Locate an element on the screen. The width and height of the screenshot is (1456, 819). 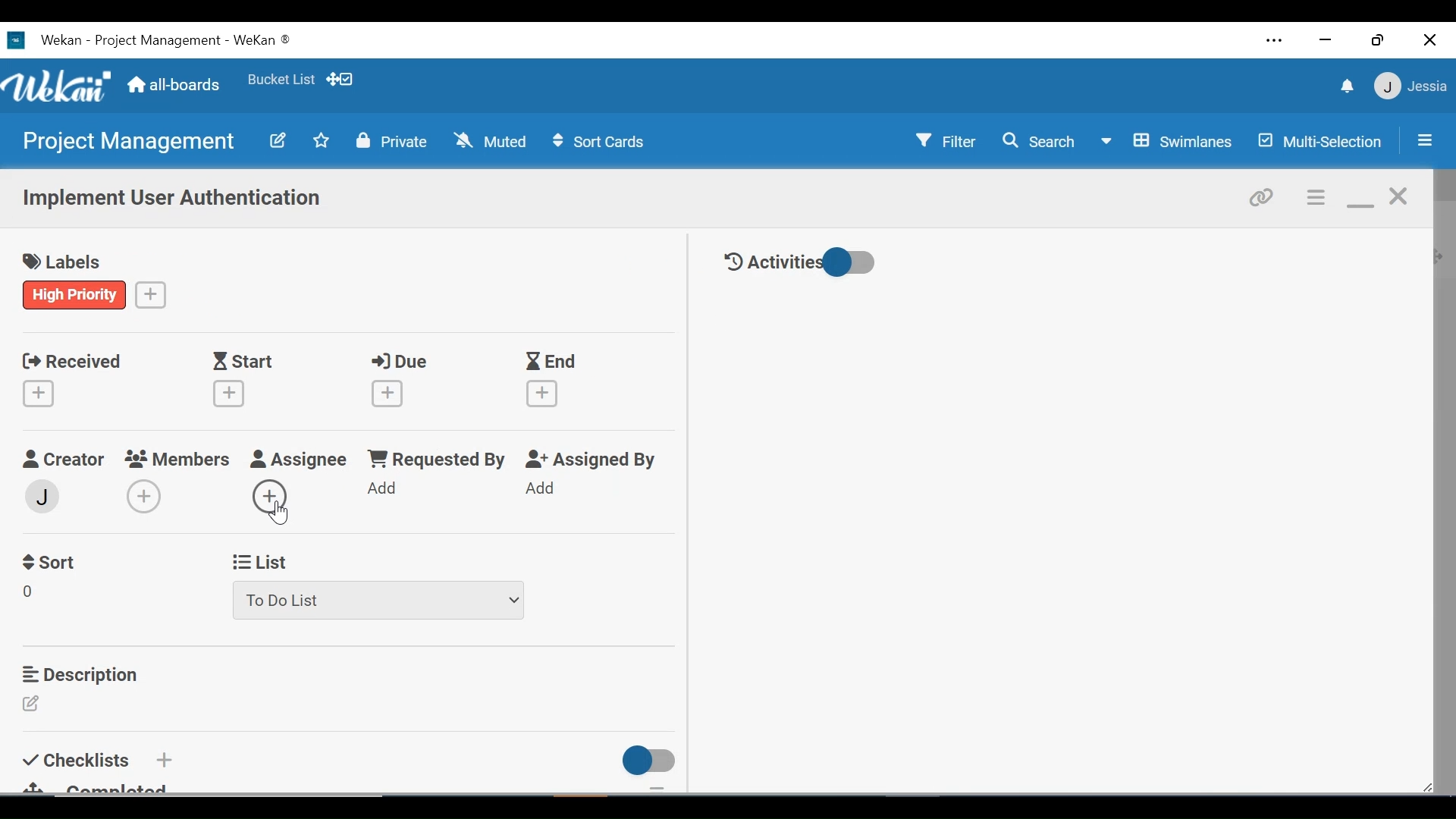
Add is located at coordinates (384, 489).